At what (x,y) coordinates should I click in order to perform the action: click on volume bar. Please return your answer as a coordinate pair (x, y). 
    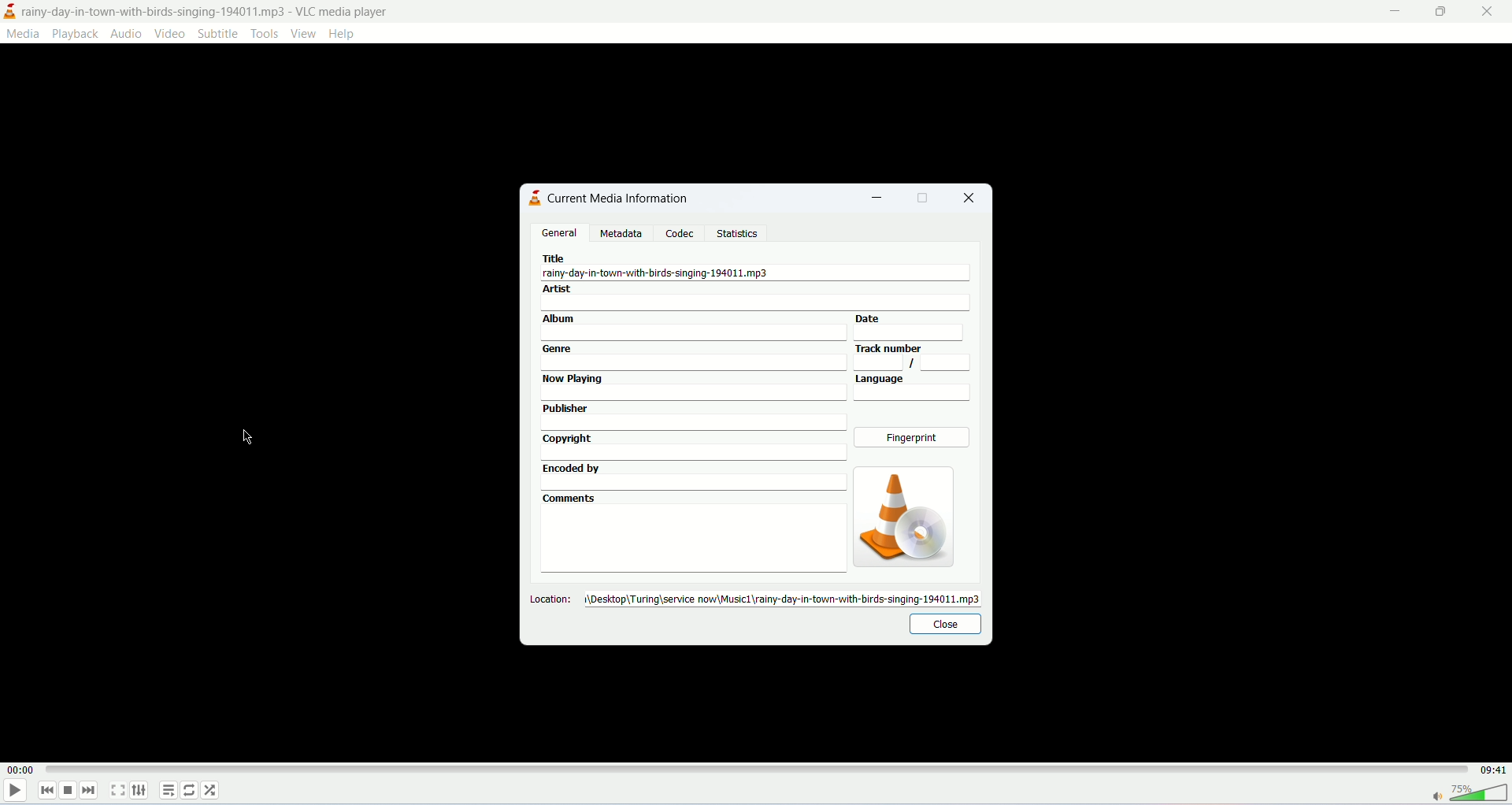
    Looking at the image, I should click on (1469, 793).